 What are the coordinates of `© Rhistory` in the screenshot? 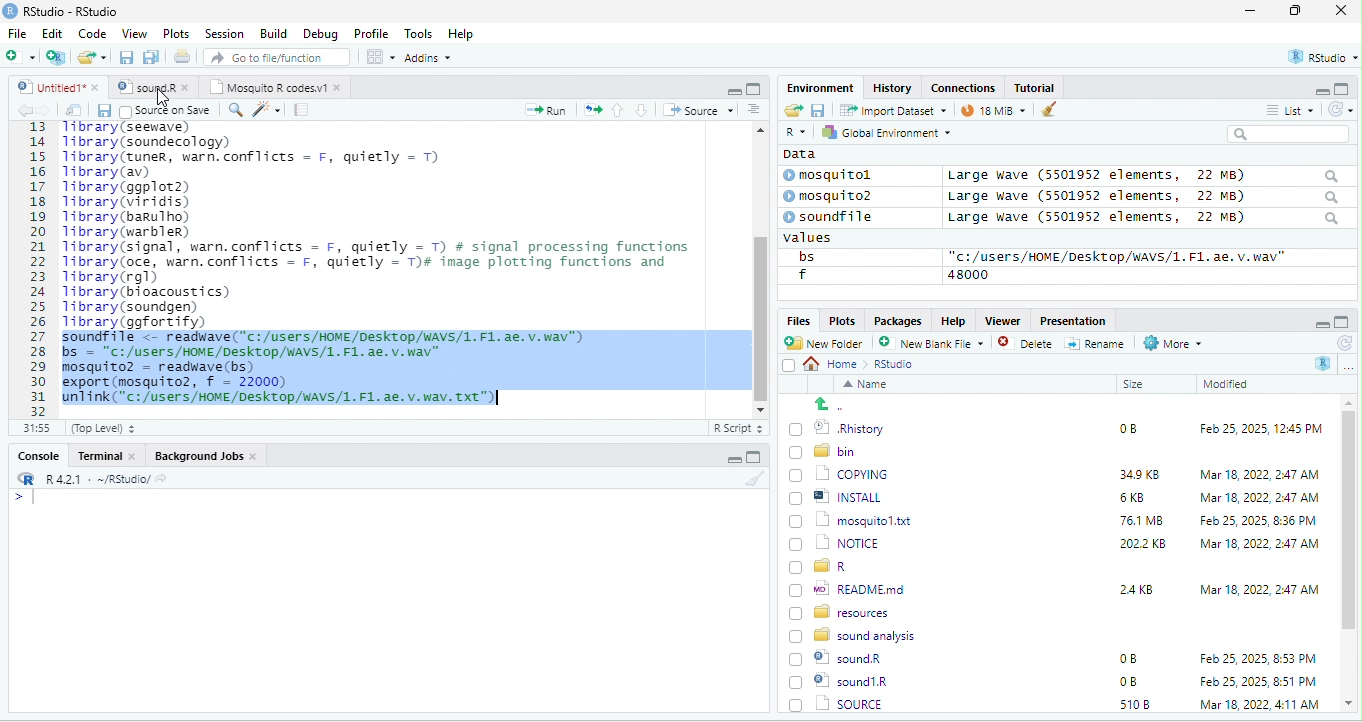 It's located at (838, 426).